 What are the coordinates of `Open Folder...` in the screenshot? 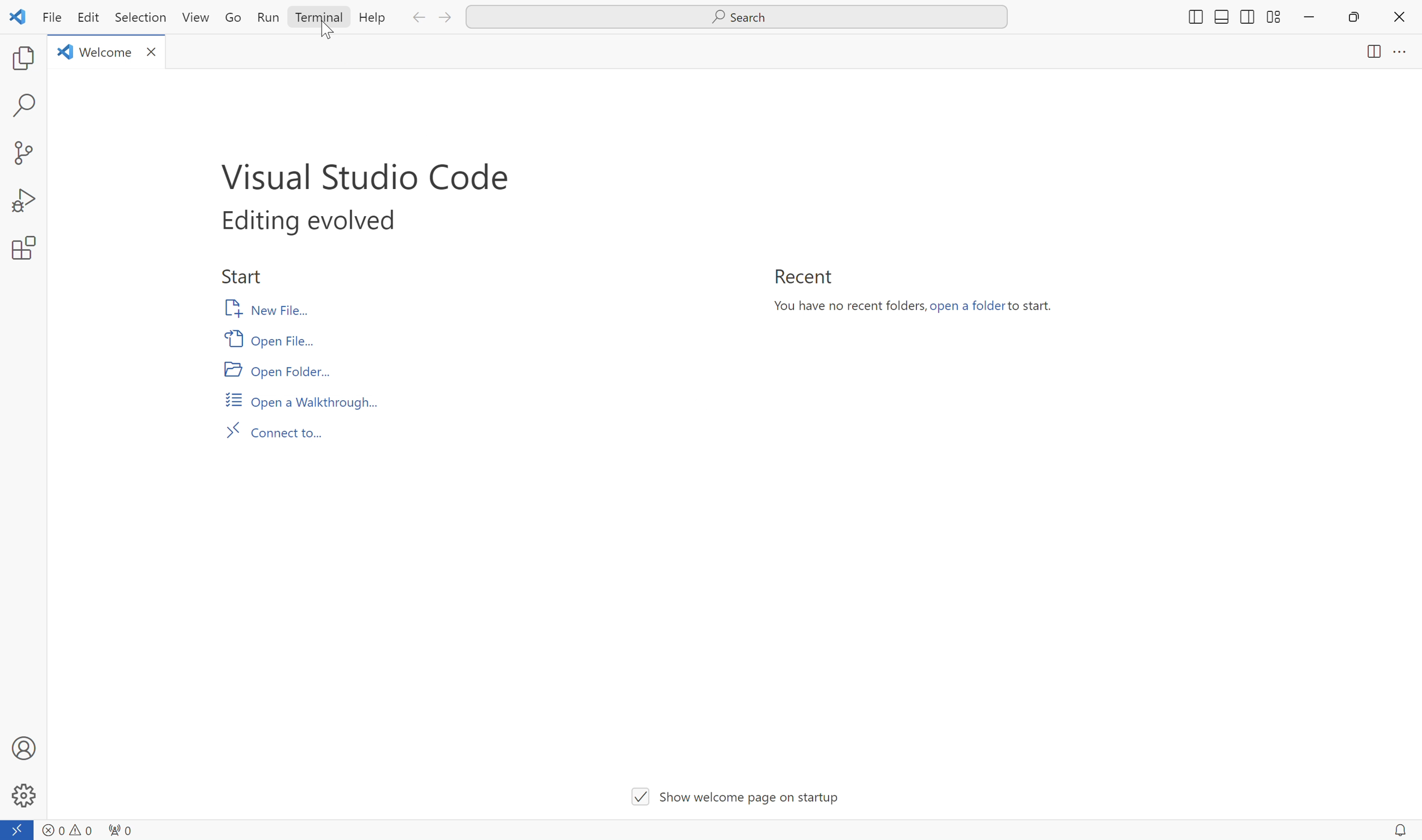 It's located at (279, 372).